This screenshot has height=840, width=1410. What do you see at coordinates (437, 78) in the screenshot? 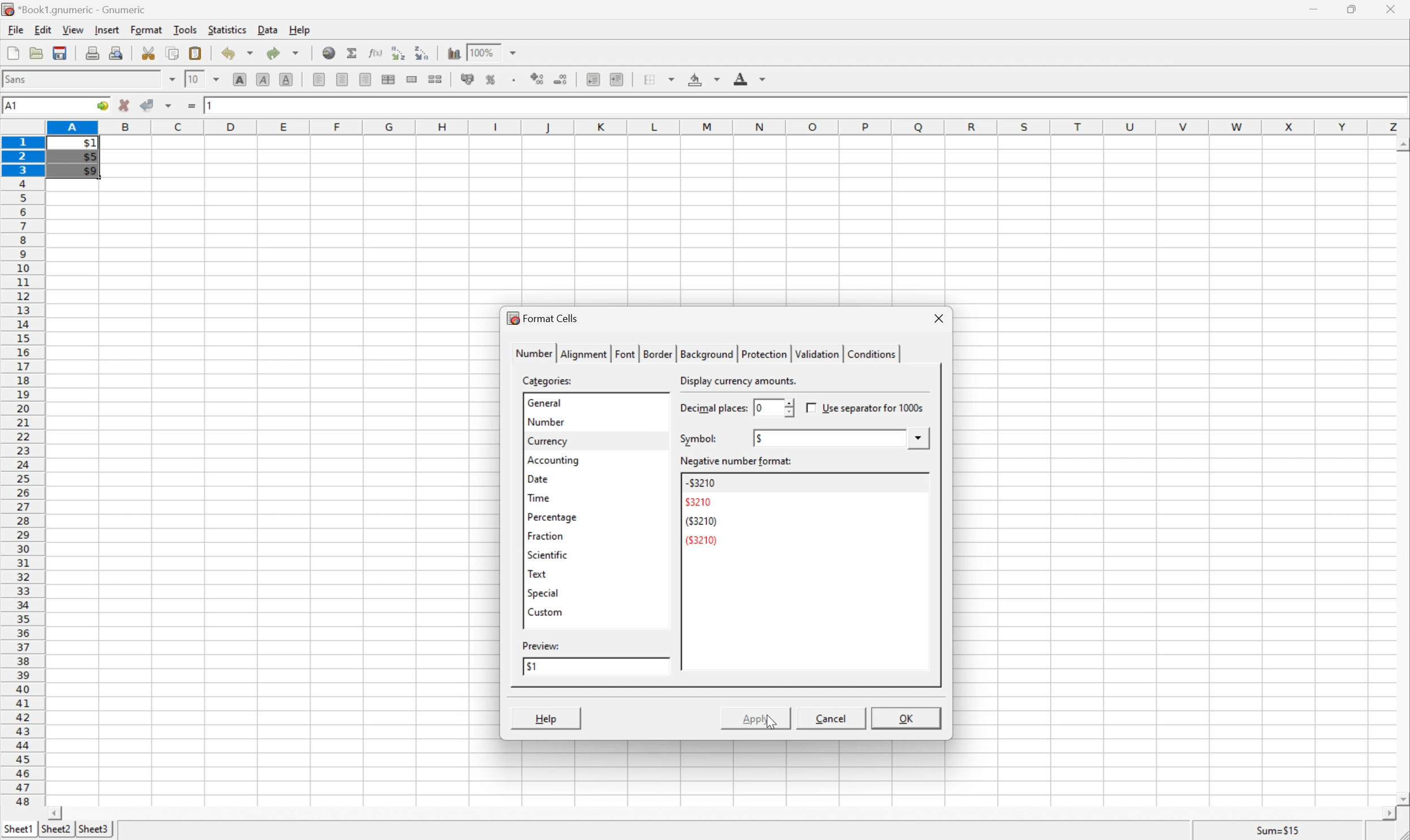
I see `split merged ranges of cells` at bounding box center [437, 78].